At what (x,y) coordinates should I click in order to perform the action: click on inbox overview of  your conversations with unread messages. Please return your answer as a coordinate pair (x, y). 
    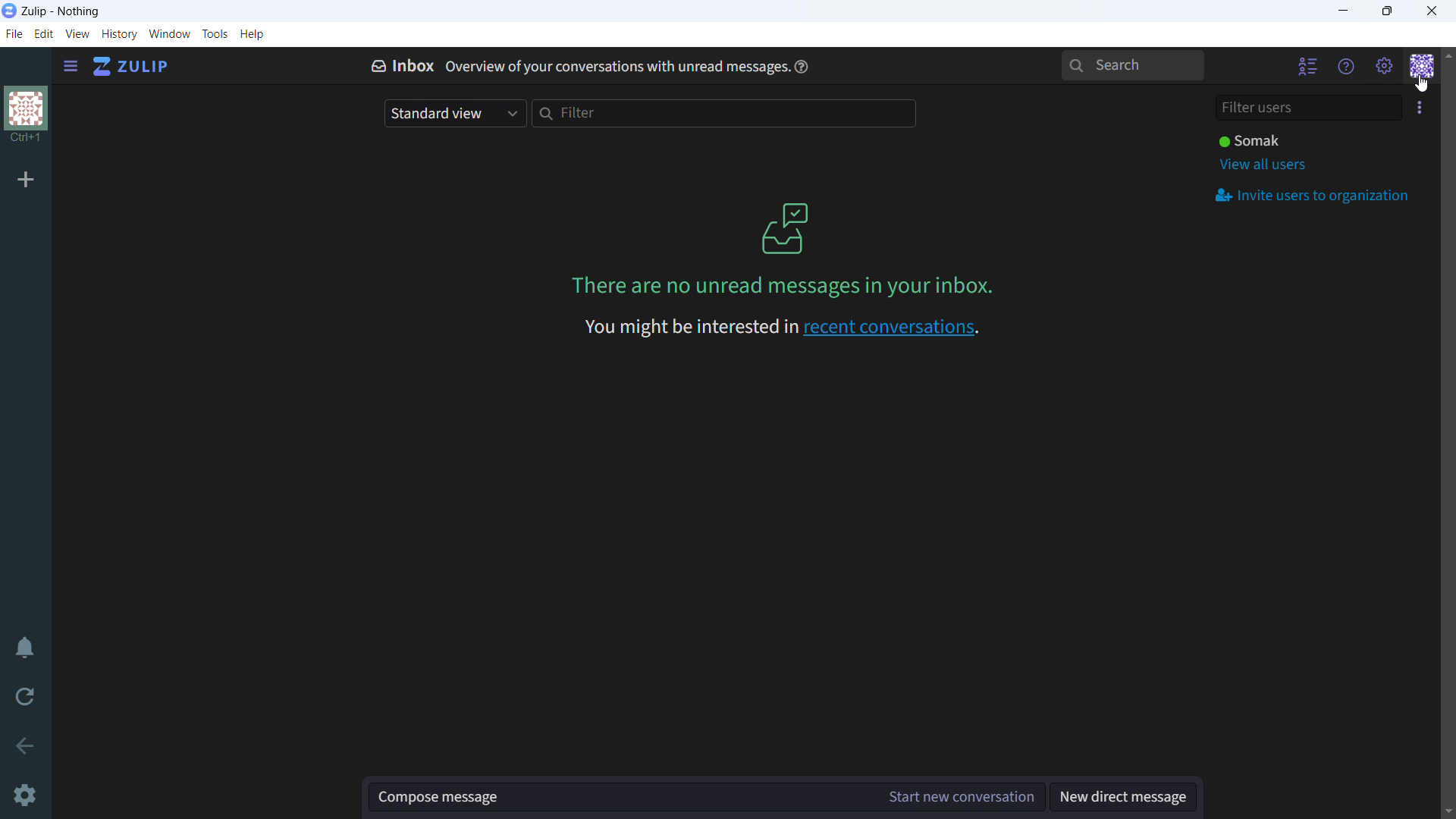
    Looking at the image, I should click on (572, 64).